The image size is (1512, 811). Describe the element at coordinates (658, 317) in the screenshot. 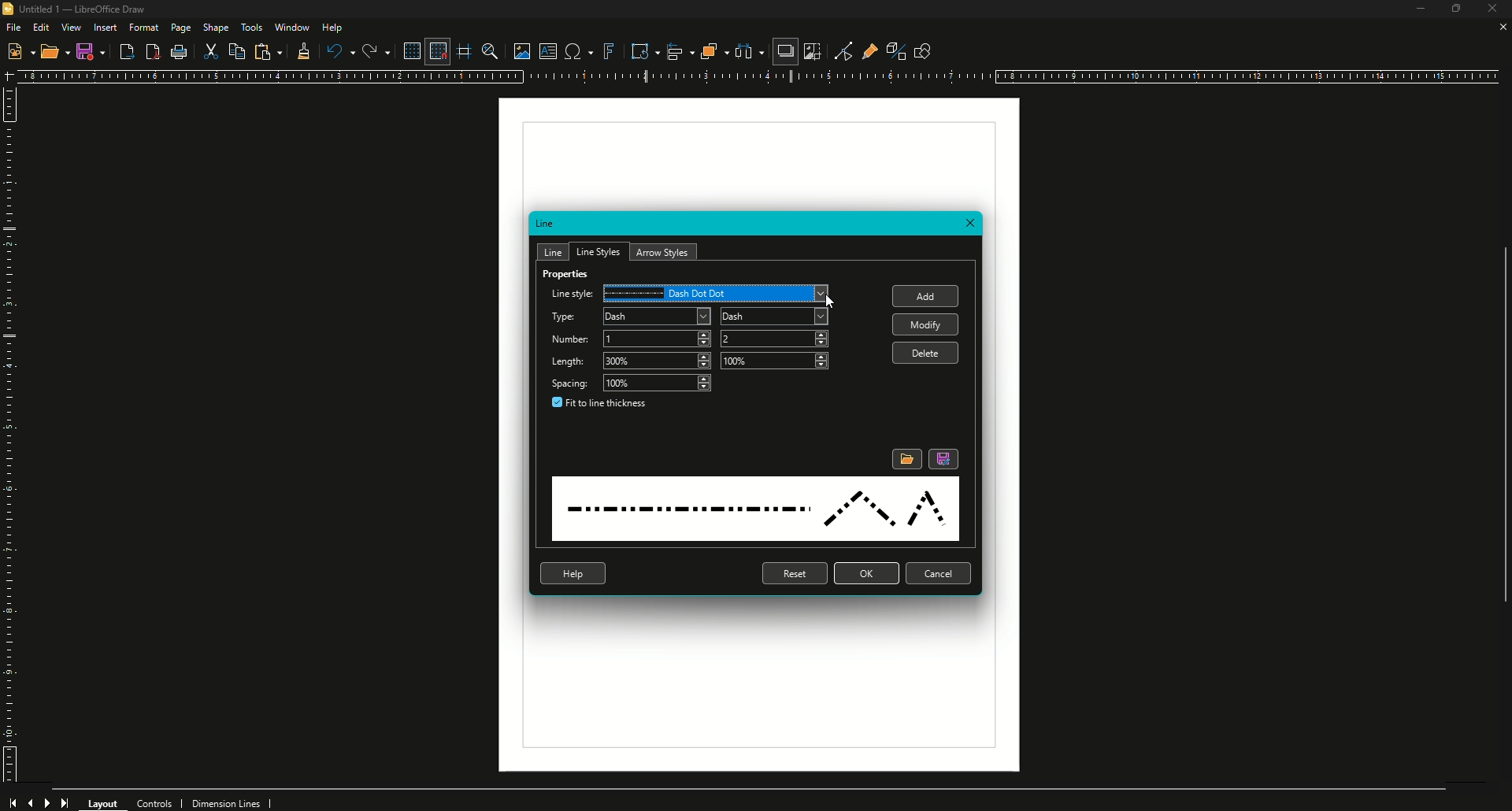

I see `Dash` at that location.